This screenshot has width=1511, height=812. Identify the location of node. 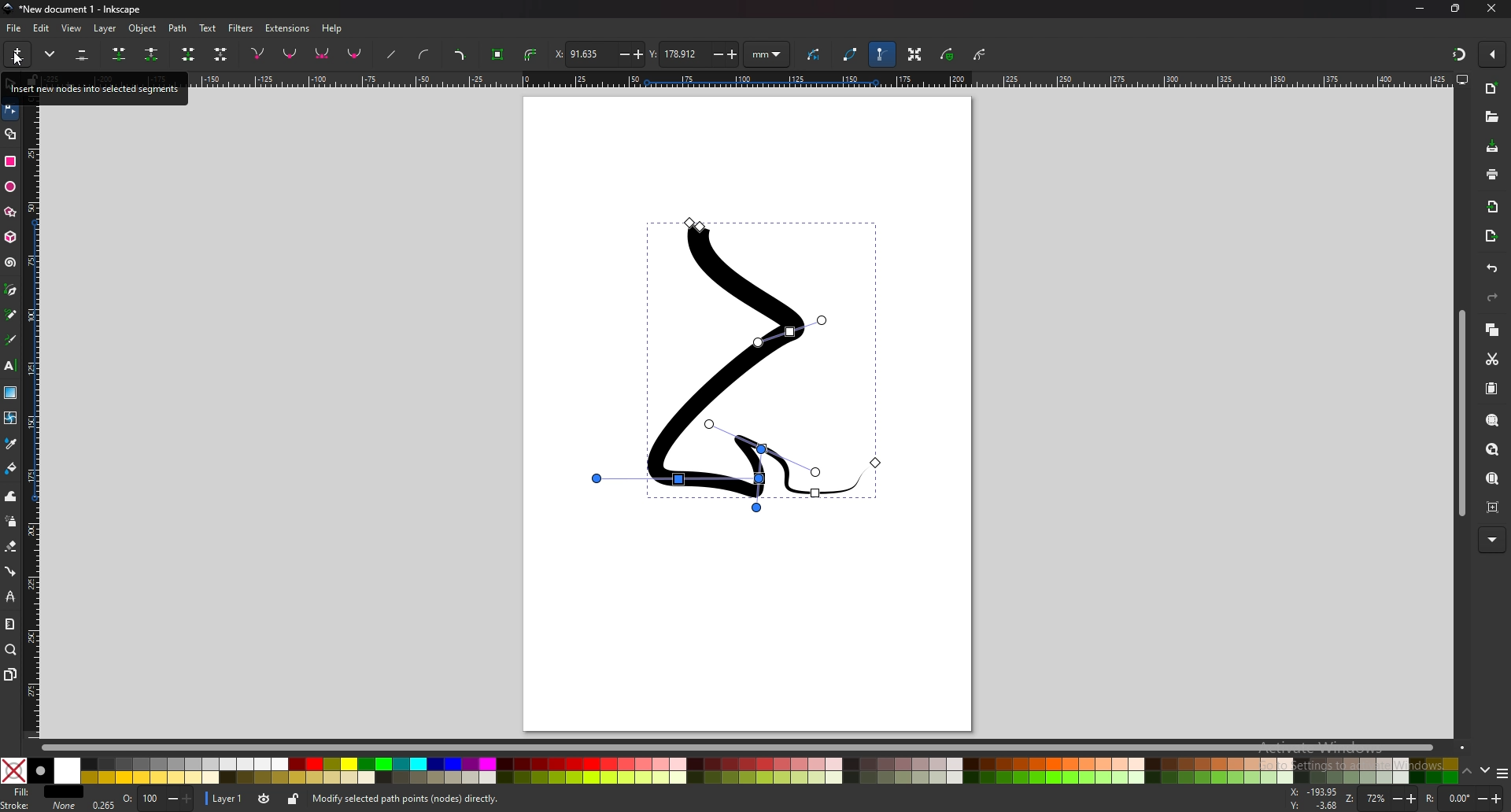
(10, 109).